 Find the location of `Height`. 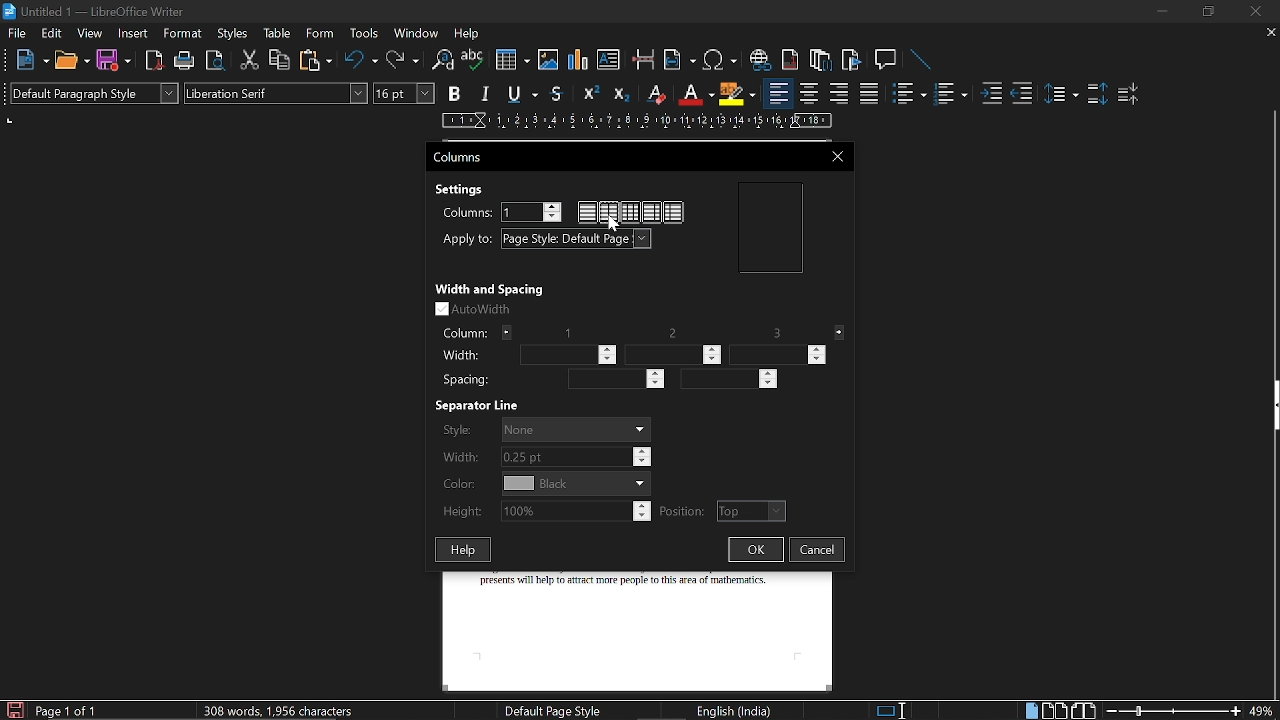

Height is located at coordinates (546, 511).